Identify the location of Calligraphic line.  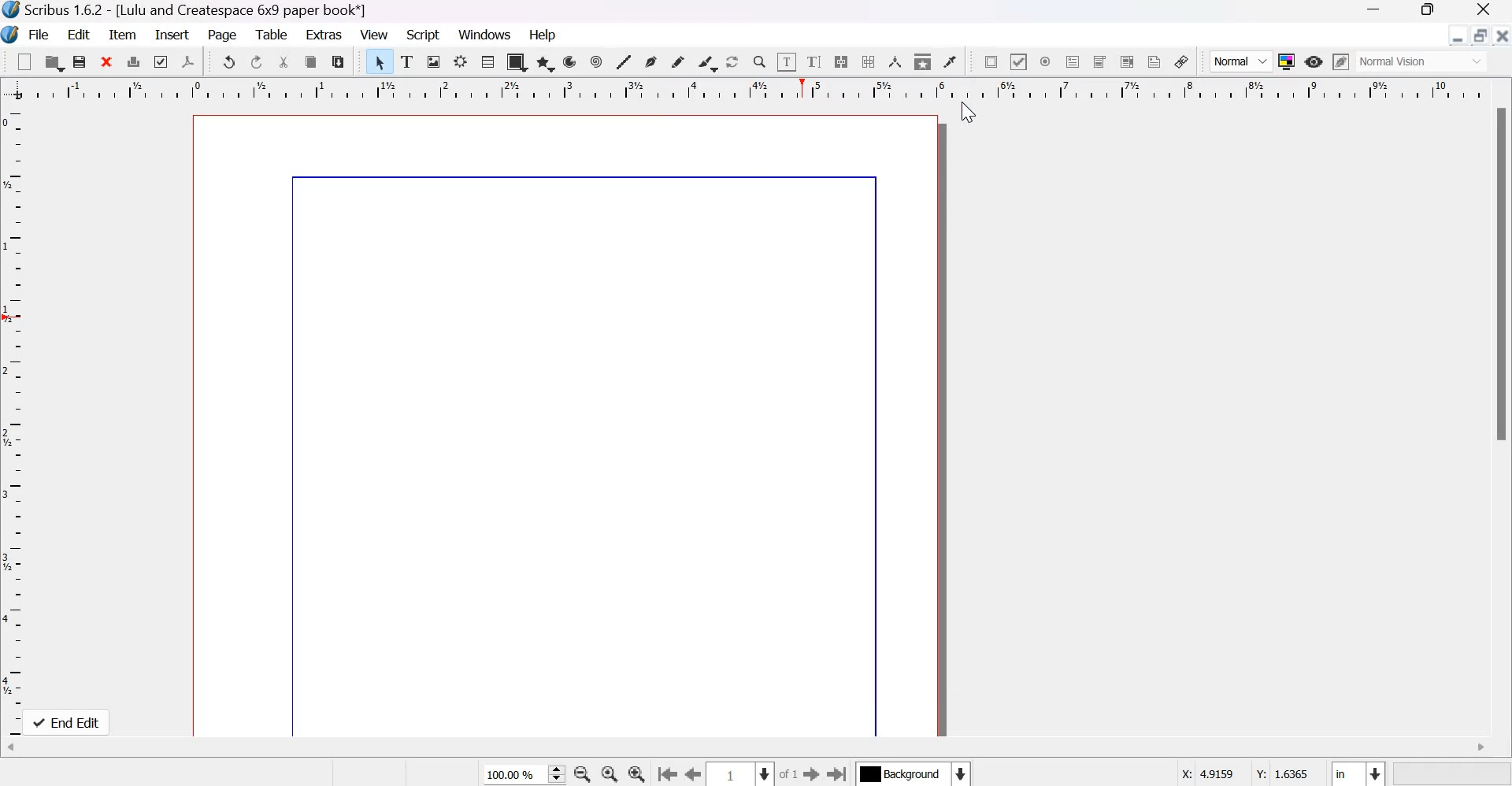
(707, 62).